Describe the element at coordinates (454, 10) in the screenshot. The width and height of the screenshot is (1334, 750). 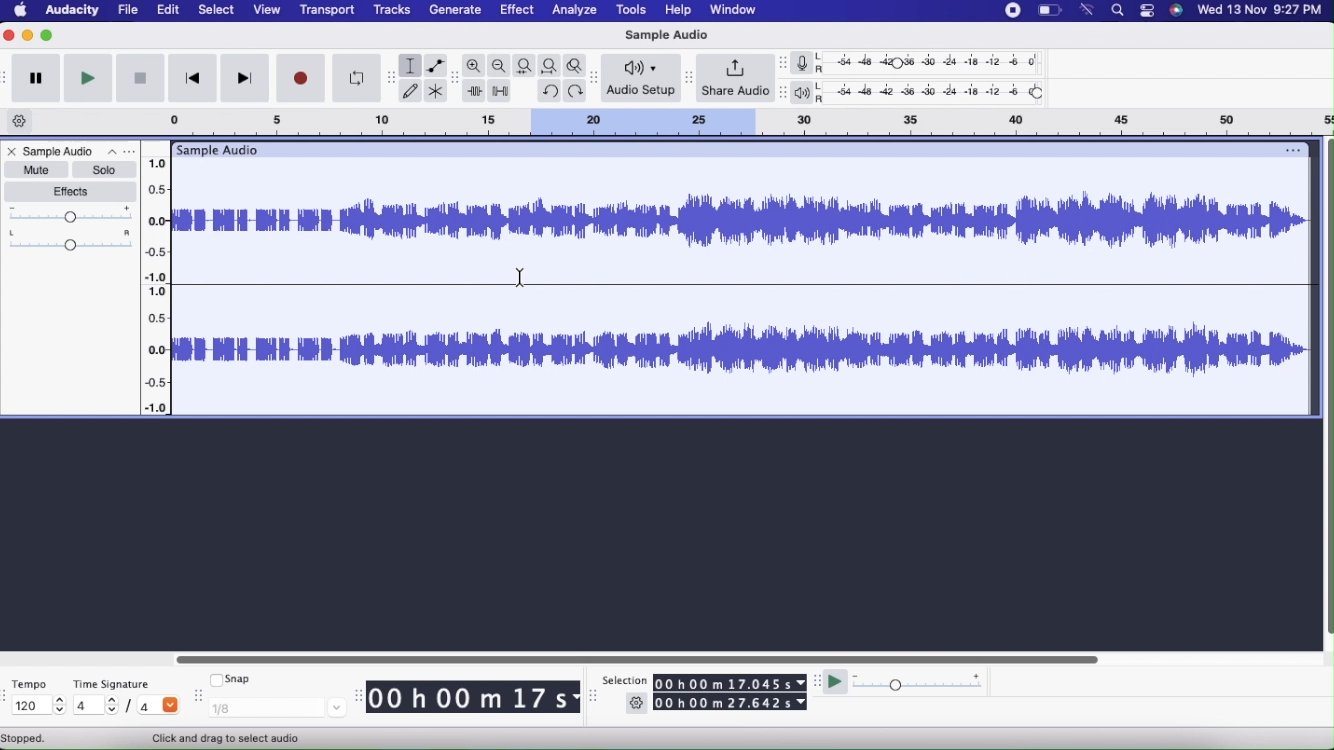
I see `generate` at that location.